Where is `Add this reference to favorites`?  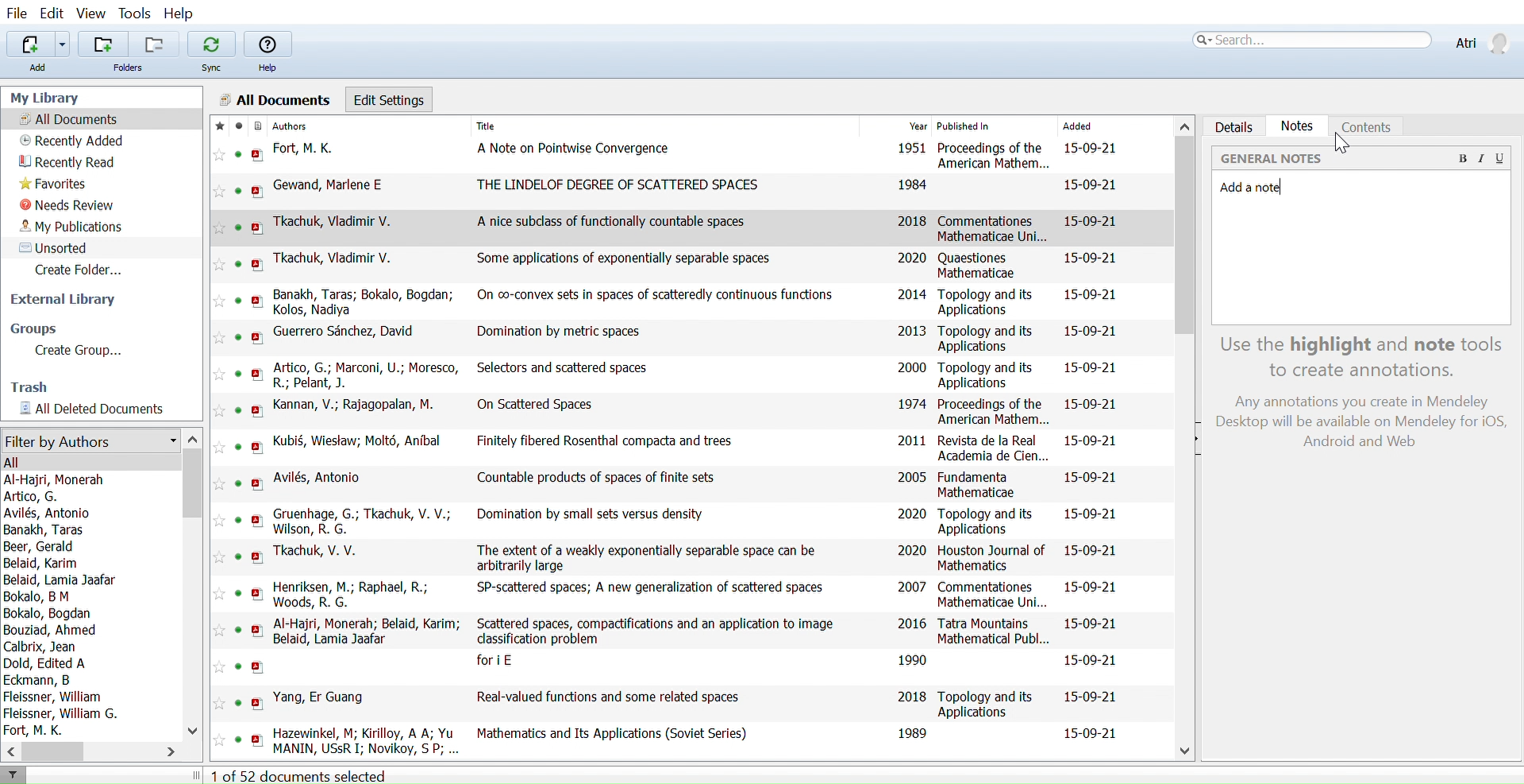
Add this reference to favorites is located at coordinates (220, 301).